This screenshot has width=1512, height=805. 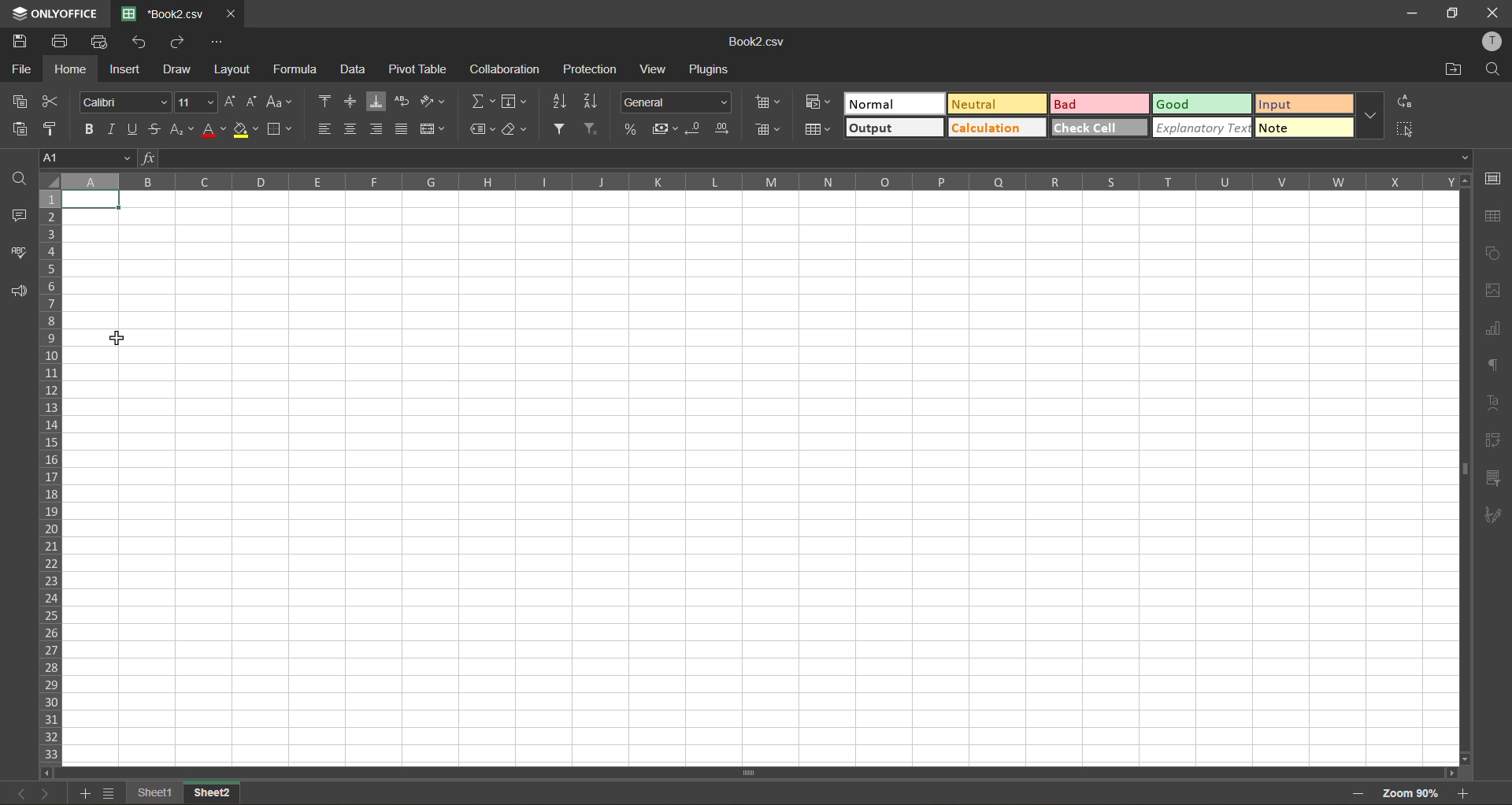 What do you see at coordinates (1495, 369) in the screenshot?
I see `paragraph` at bounding box center [1495, 369].